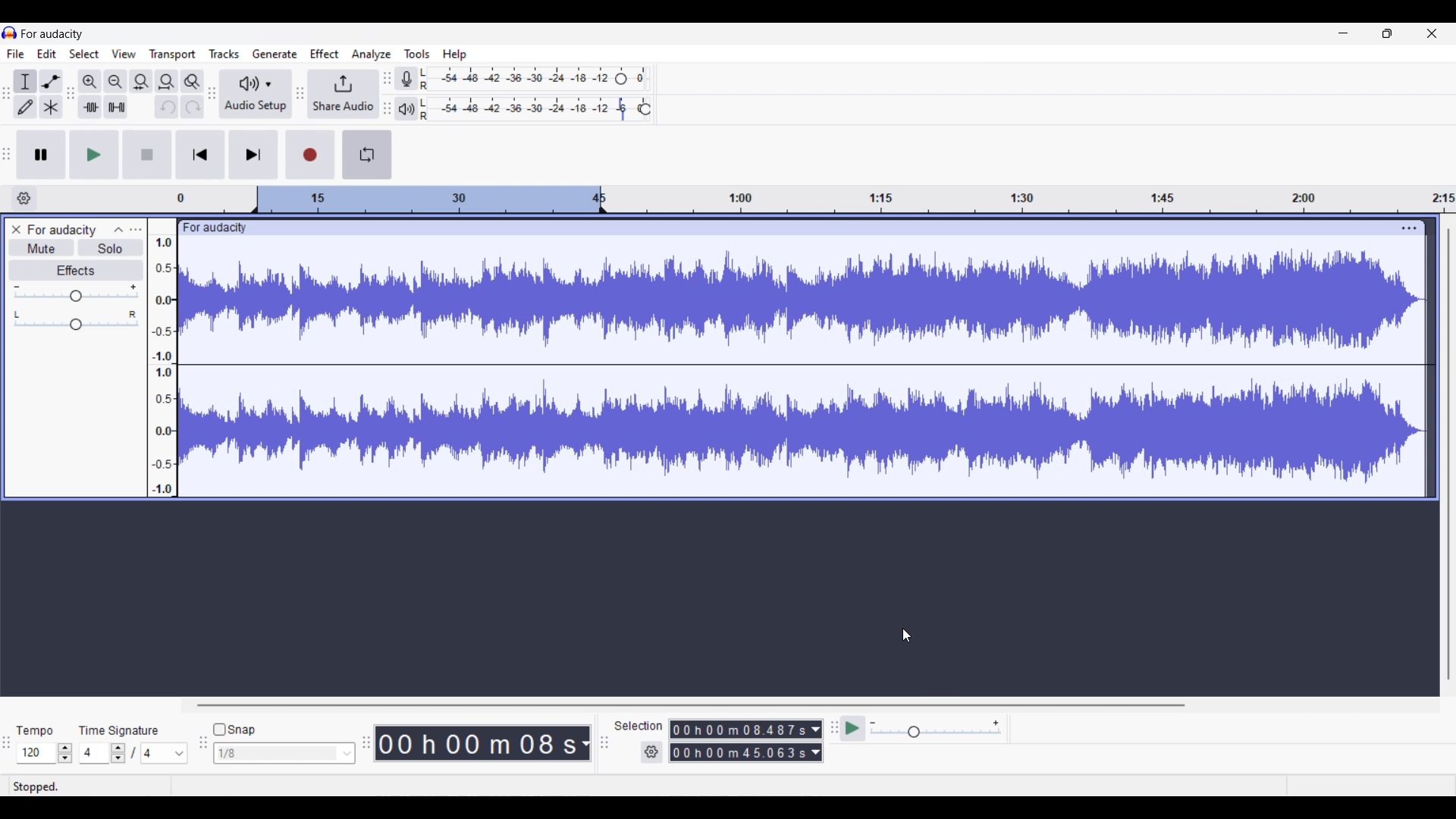 This screenshot has height=819, width=1456. What do you see at coordinates (136, 229) in the screenshot?
I see `Open menu` at bounding box center [136, 229].